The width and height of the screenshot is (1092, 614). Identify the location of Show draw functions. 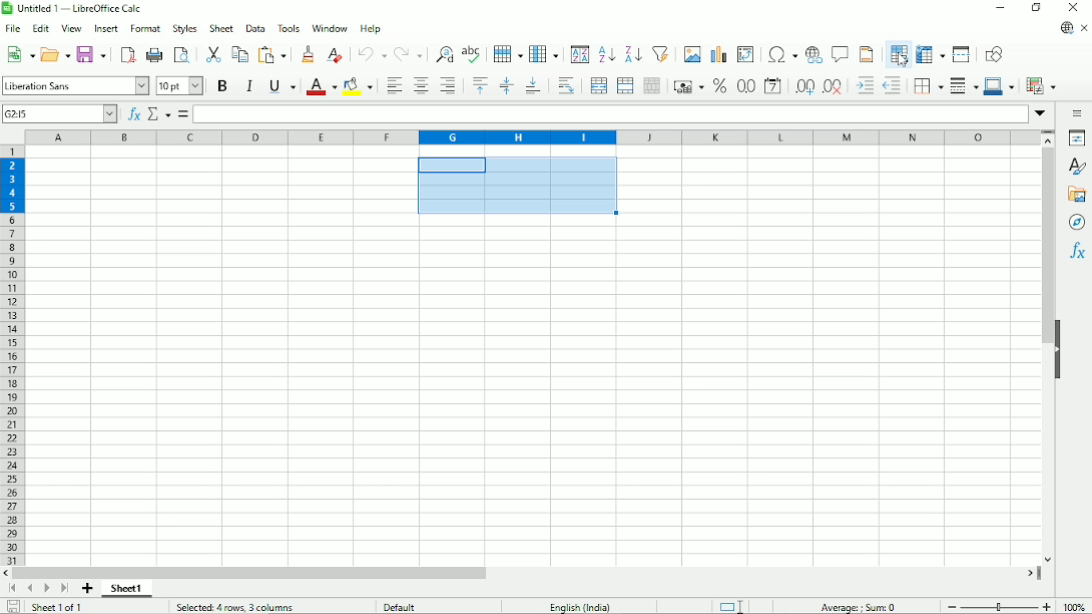
(994, 53).